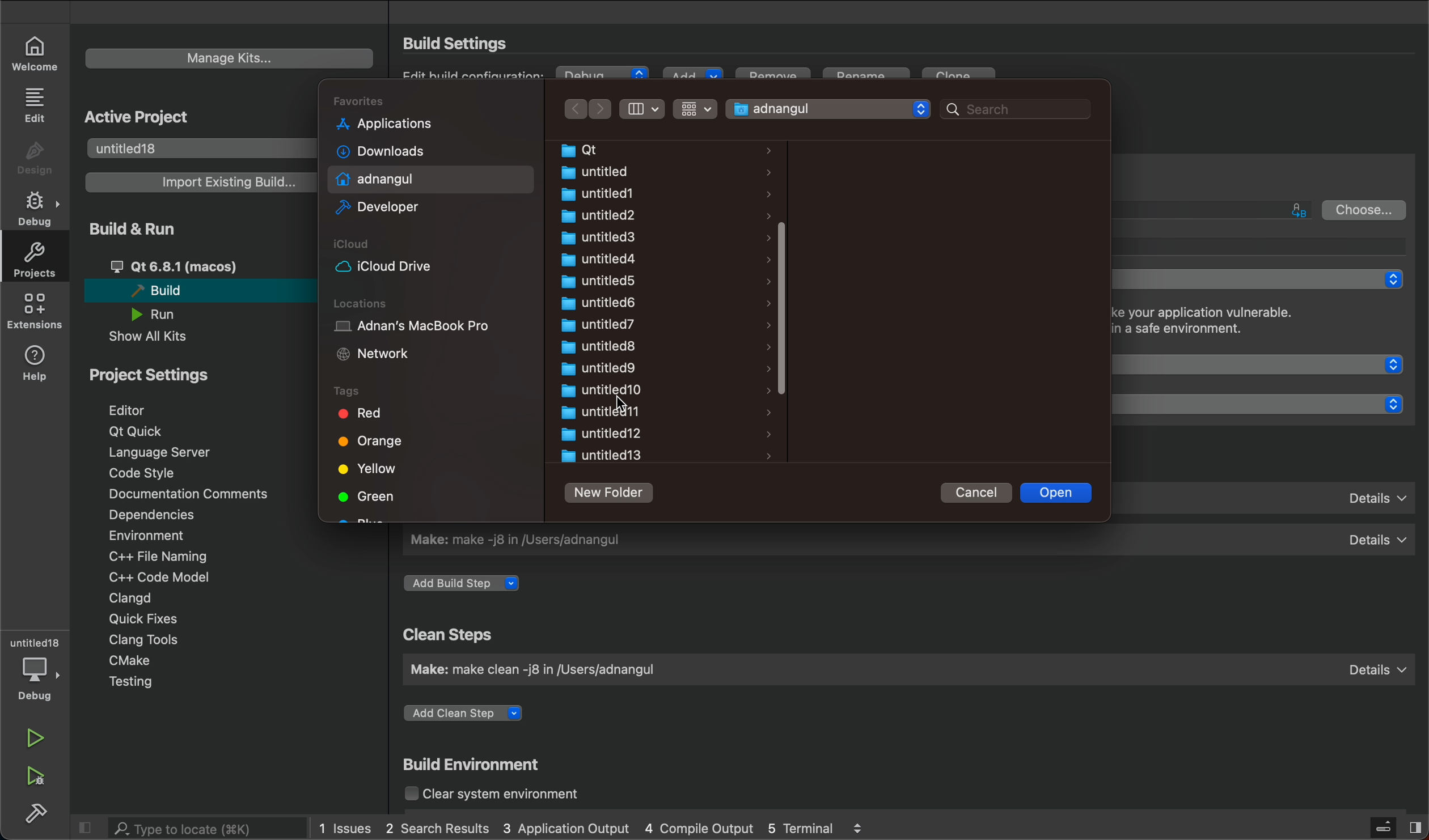  I want to click on 4 Compile Output, so click(699, 828).